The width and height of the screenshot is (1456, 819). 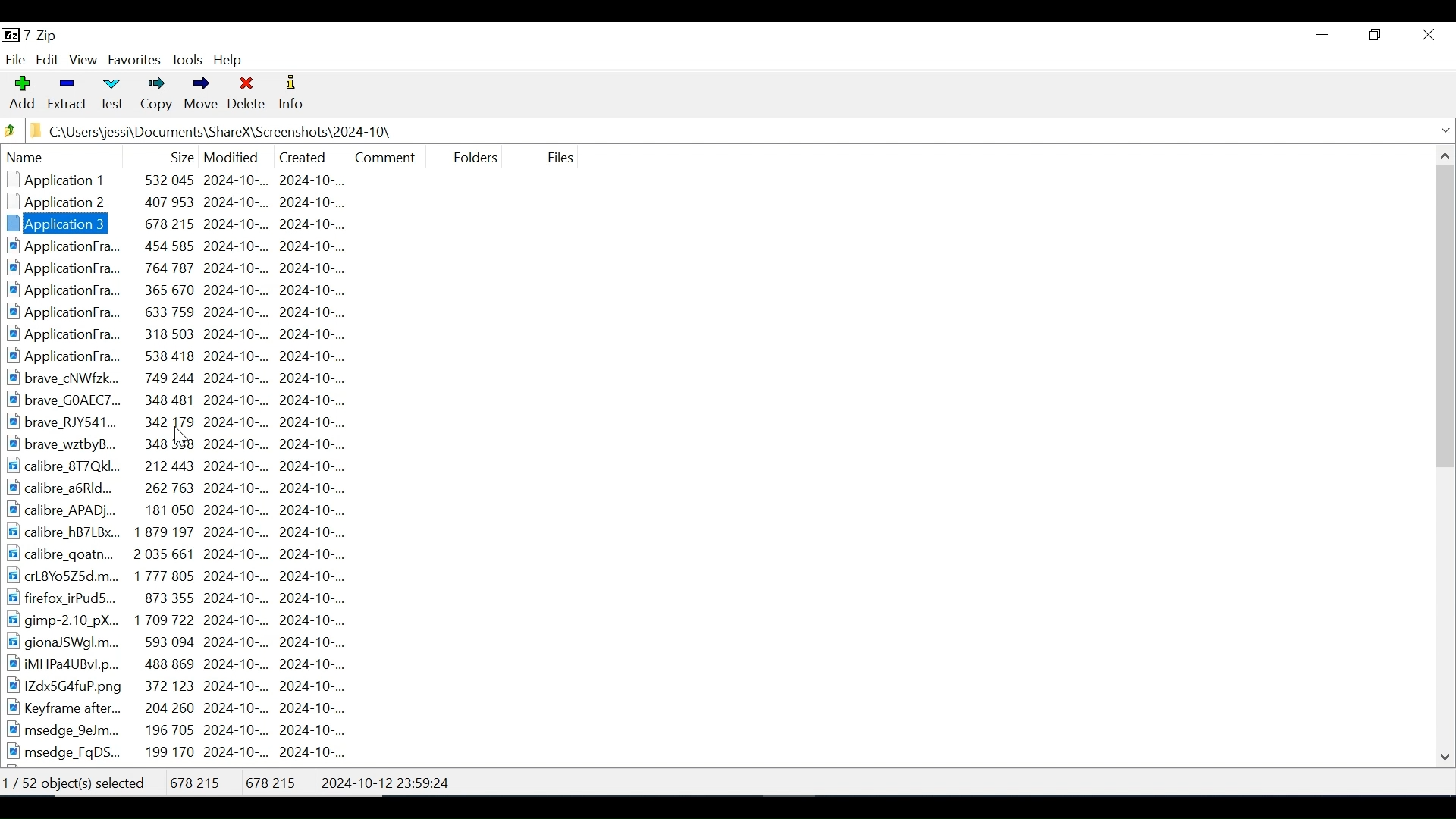 What do you see at coordinates (184, 642) in the screenshot?
I see `gionaJSWgl.m... 593 094 2024-10-.. 2024-10-...` at bounding box center [184, 642].